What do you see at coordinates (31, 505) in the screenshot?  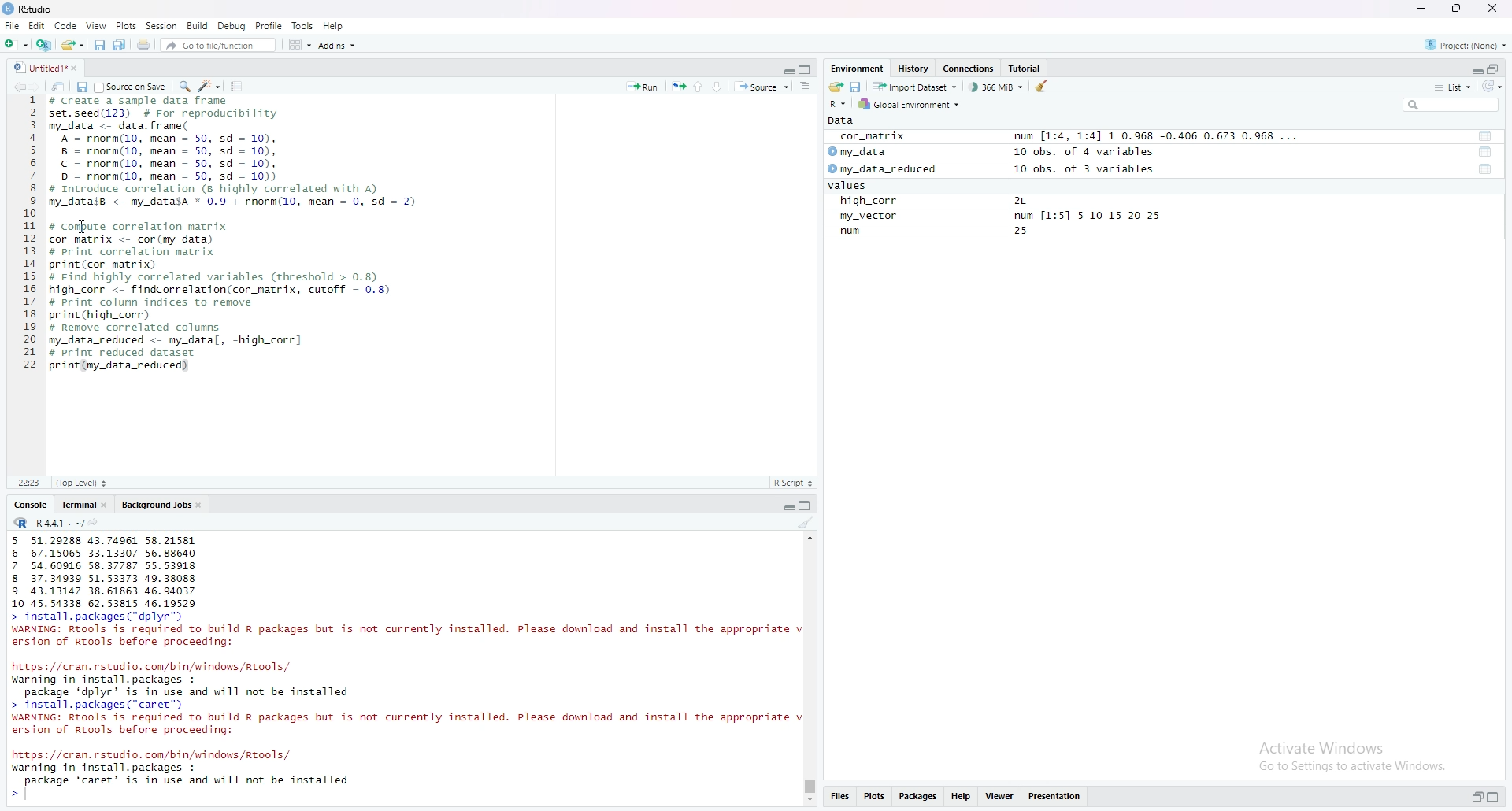 I see `Console` at bounding box center [31, 505].